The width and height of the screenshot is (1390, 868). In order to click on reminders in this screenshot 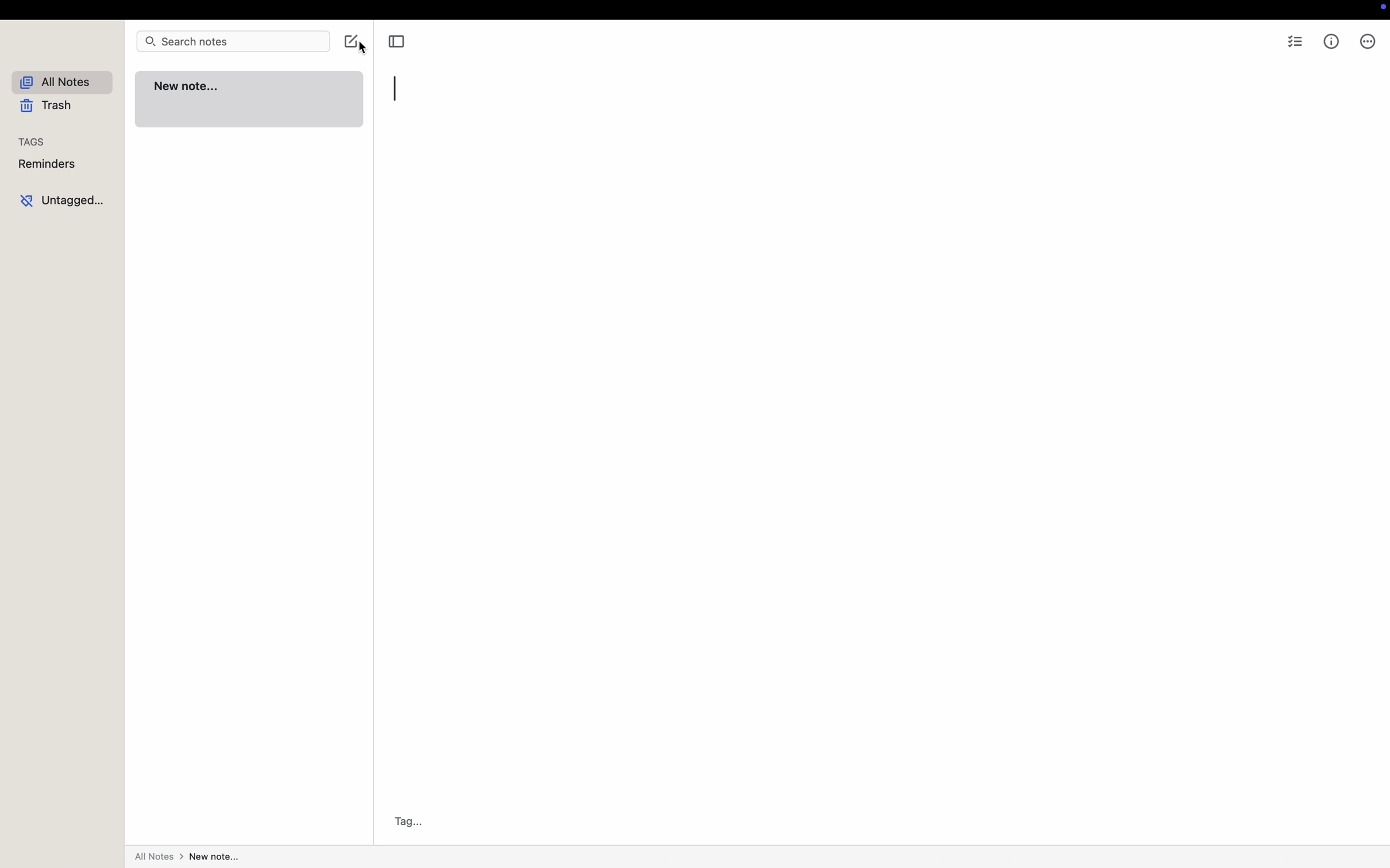, I will do `click(61, 165)`.